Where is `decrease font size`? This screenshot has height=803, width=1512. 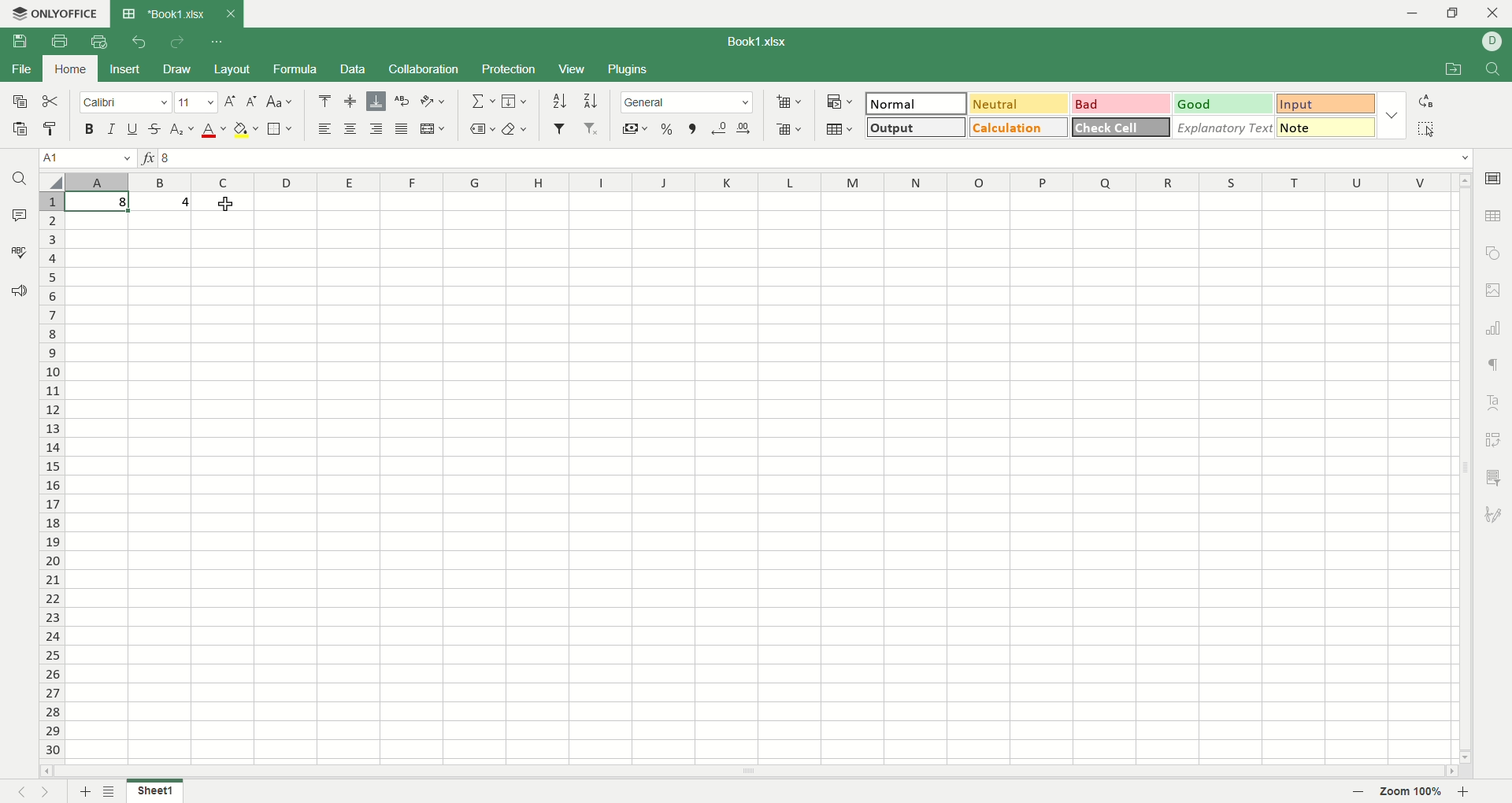 decrease font size is located at coordinates (251, 102).